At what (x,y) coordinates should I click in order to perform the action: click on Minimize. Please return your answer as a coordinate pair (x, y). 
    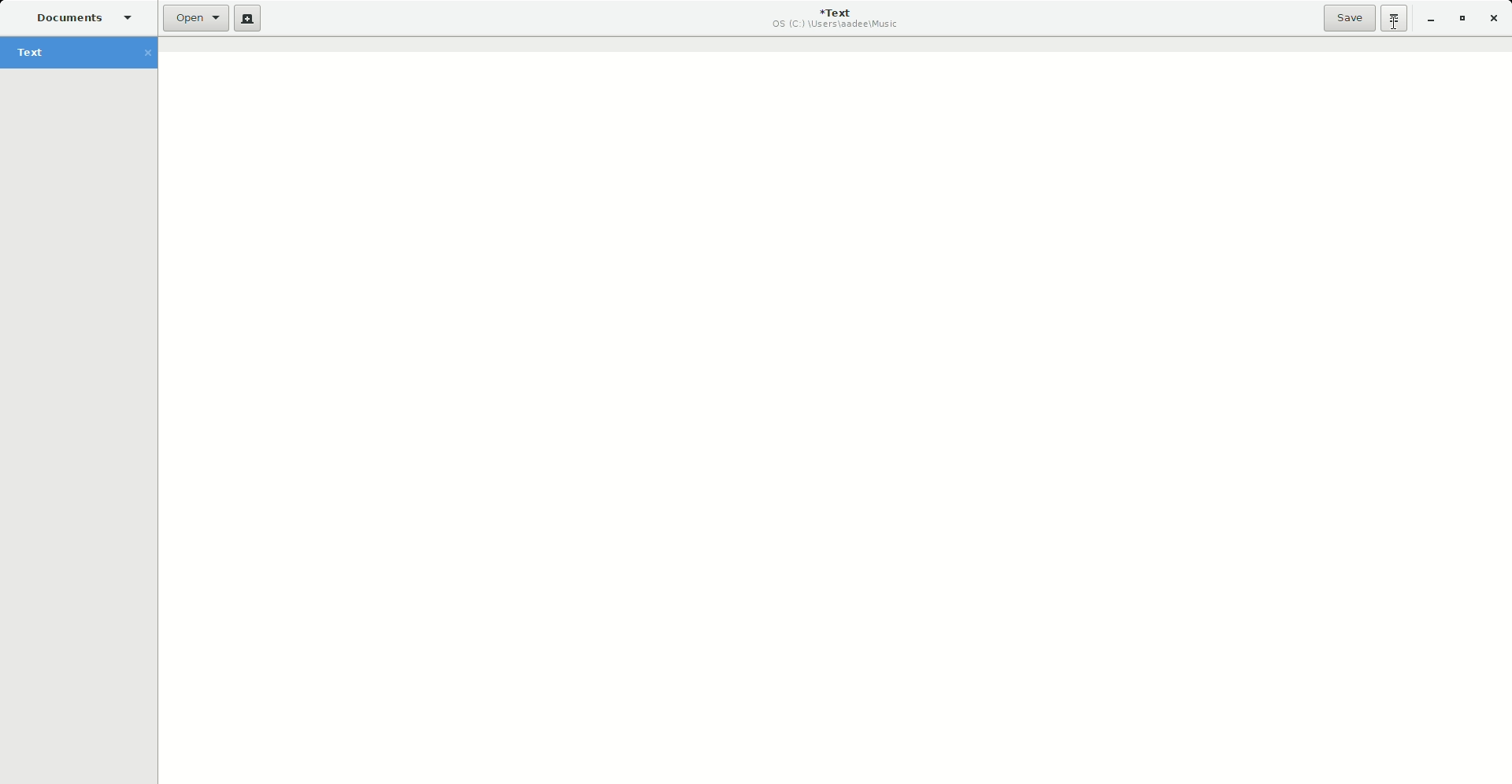
    Looking at the image, I should click on (1430, 18).